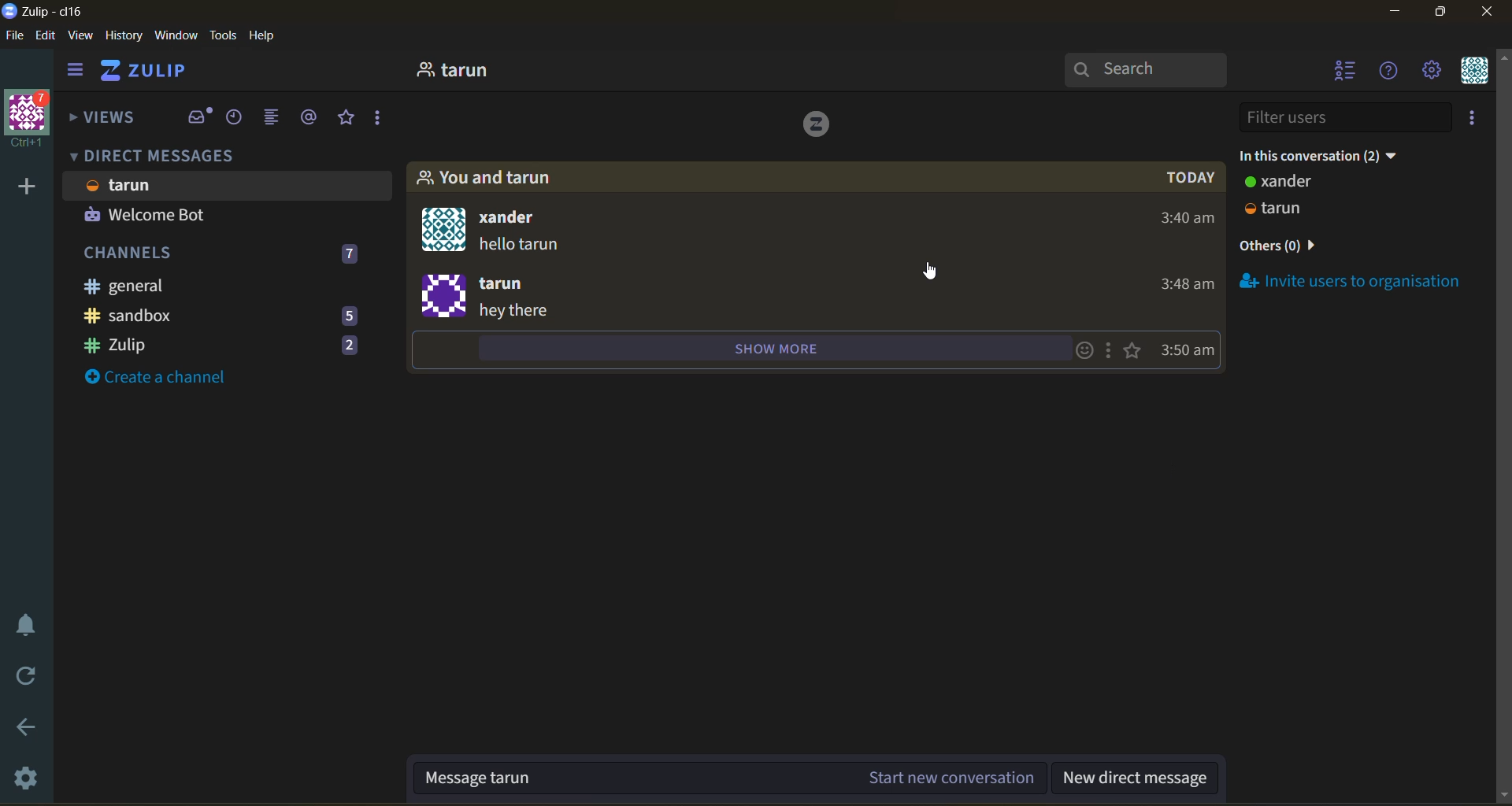 Image resolution: width=1512 pixels, height=806 pixels. I want to click on invite users to organisation, so click(1469, 117).